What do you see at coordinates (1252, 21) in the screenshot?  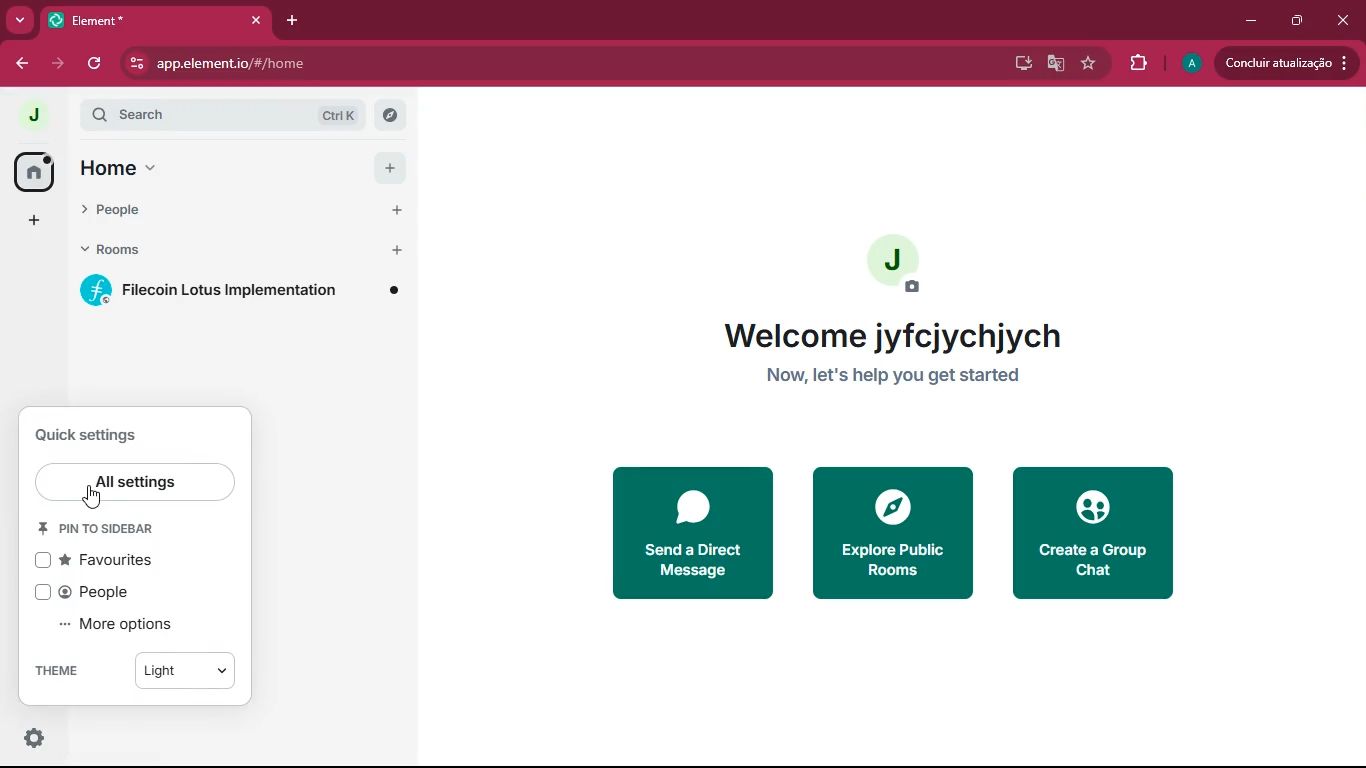 I see `minimize` at bounding box center [1252, 21].